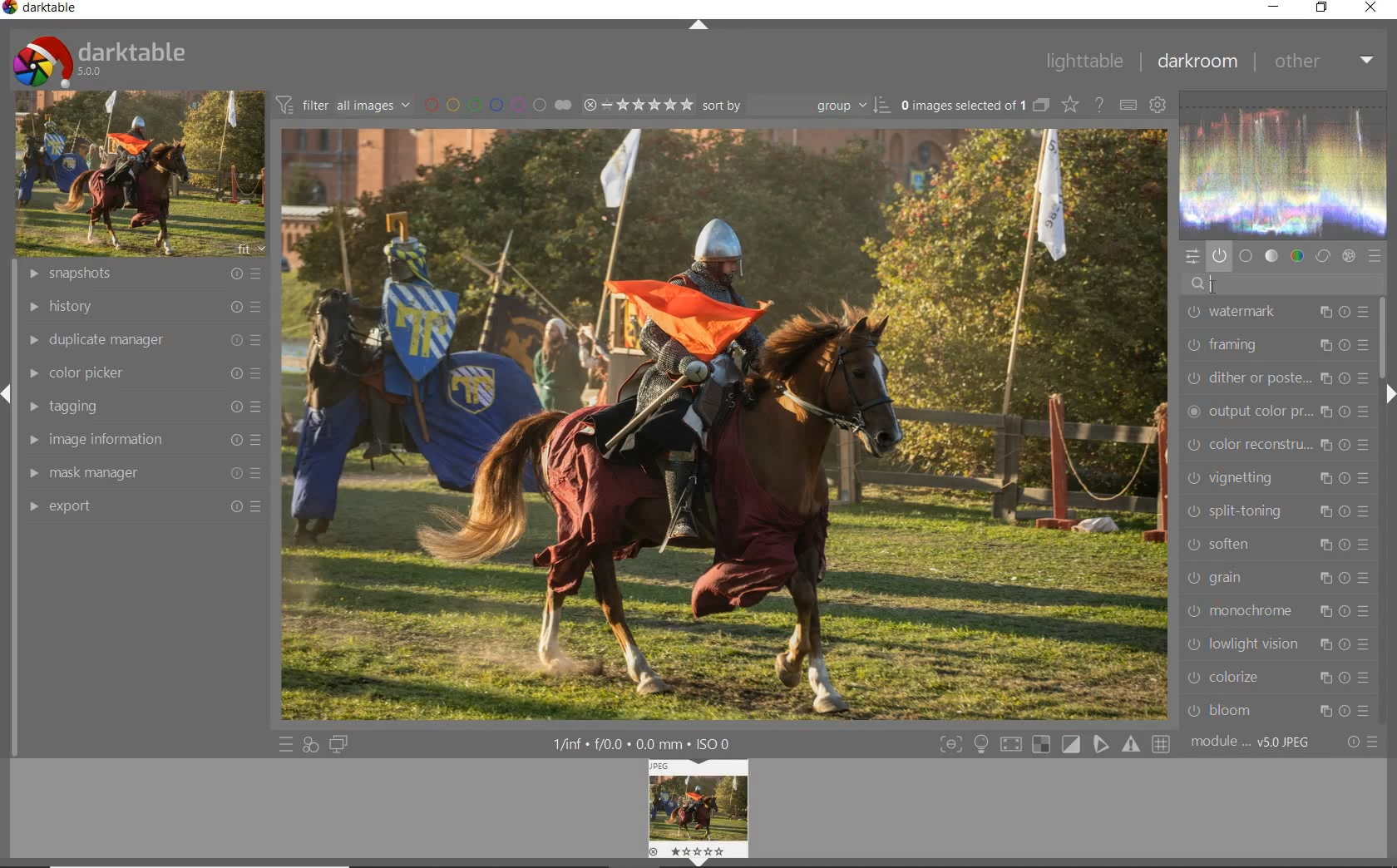  Describe the element at coordinates (142, 373) in the screenshot. I see `color picker` at that location.